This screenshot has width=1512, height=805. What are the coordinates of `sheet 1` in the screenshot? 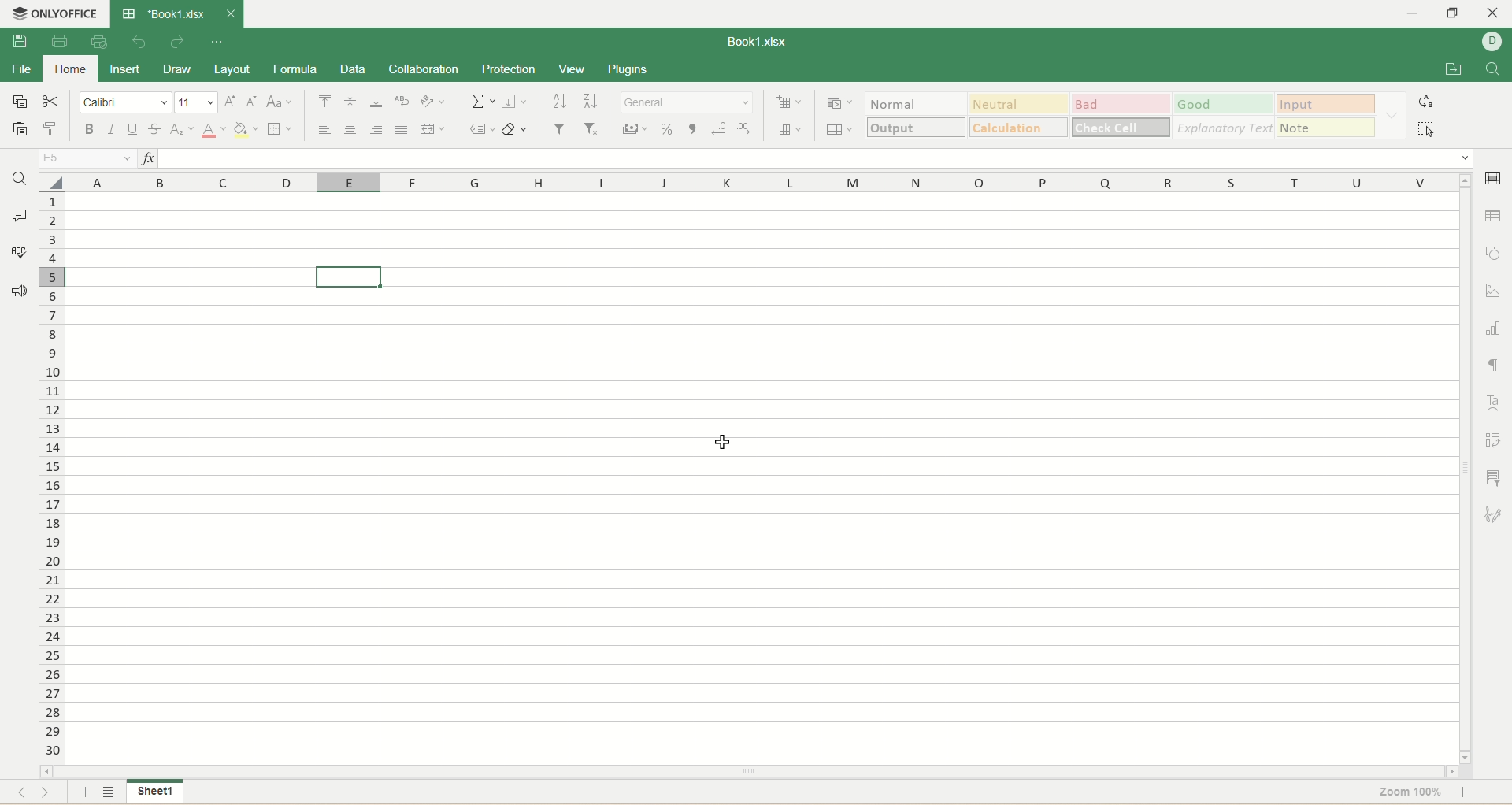 It's located at (157, 793).